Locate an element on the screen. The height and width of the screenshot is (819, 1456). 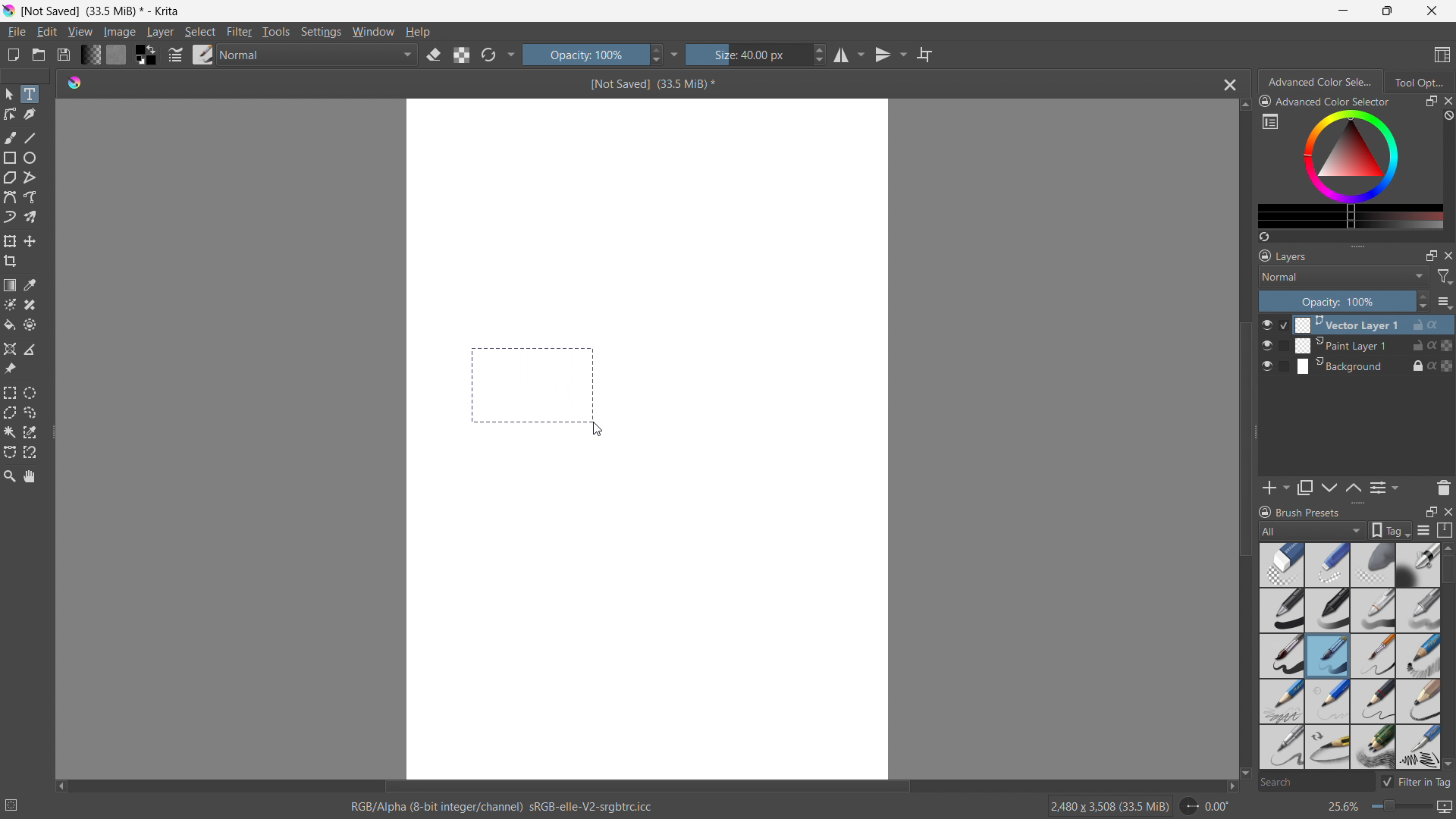
pencil is located at coordinates (1279, 747).